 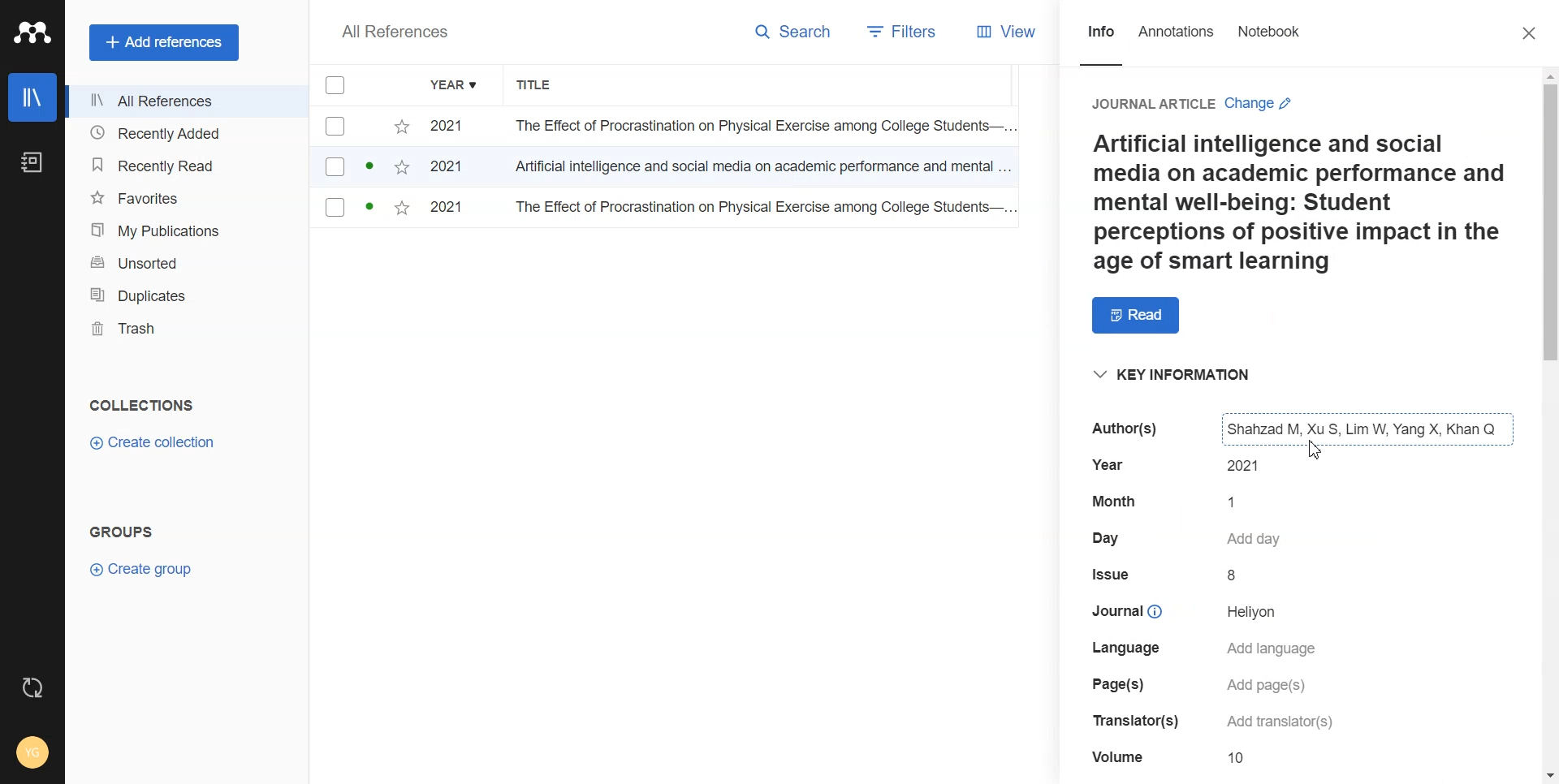 What do you see at coordinates (185, 134) in the screenshot?
I see `Recently added` at bounding box center [185, 134].